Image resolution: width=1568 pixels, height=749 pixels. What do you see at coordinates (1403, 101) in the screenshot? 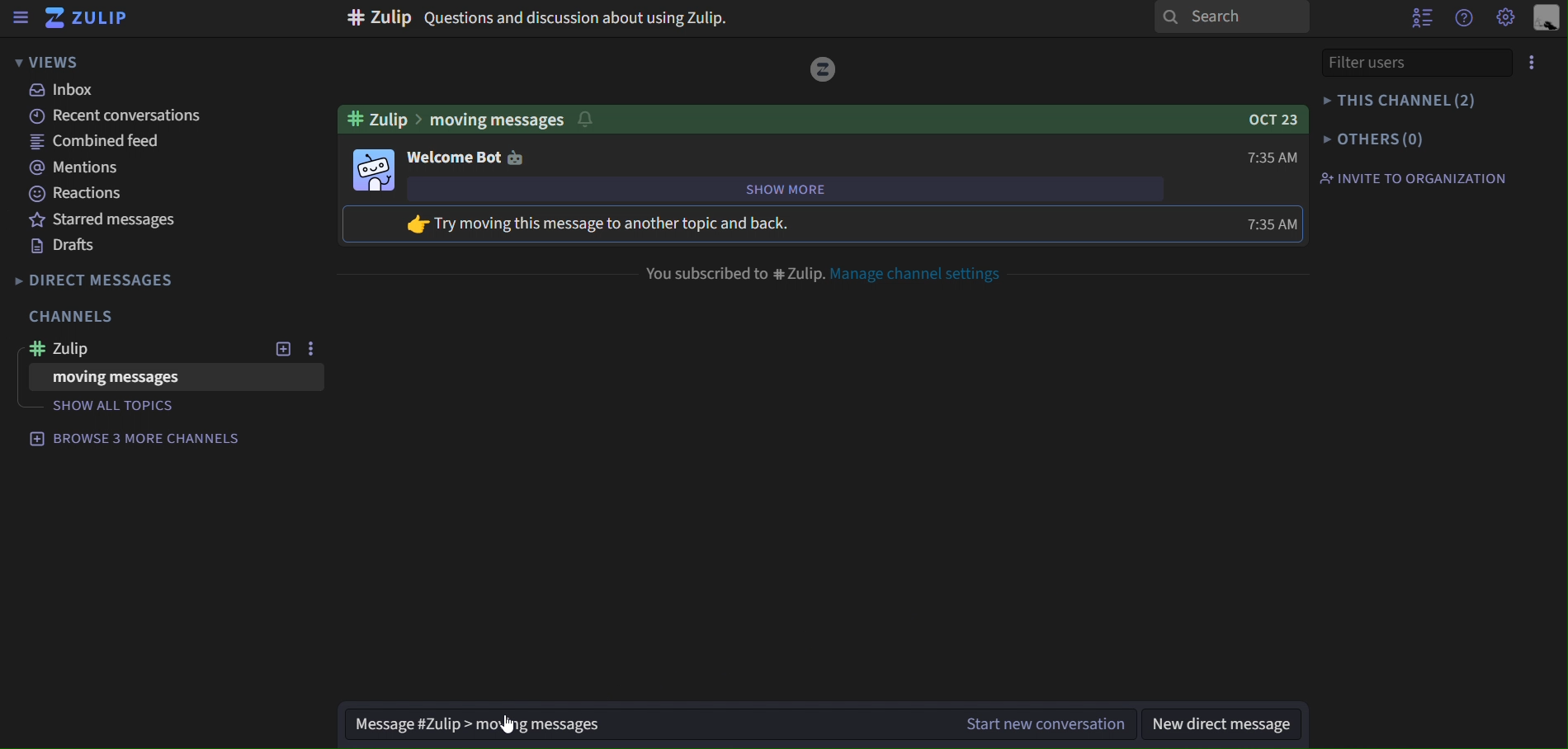
I see `this channel(2)` at bounding box center [1403, 101].